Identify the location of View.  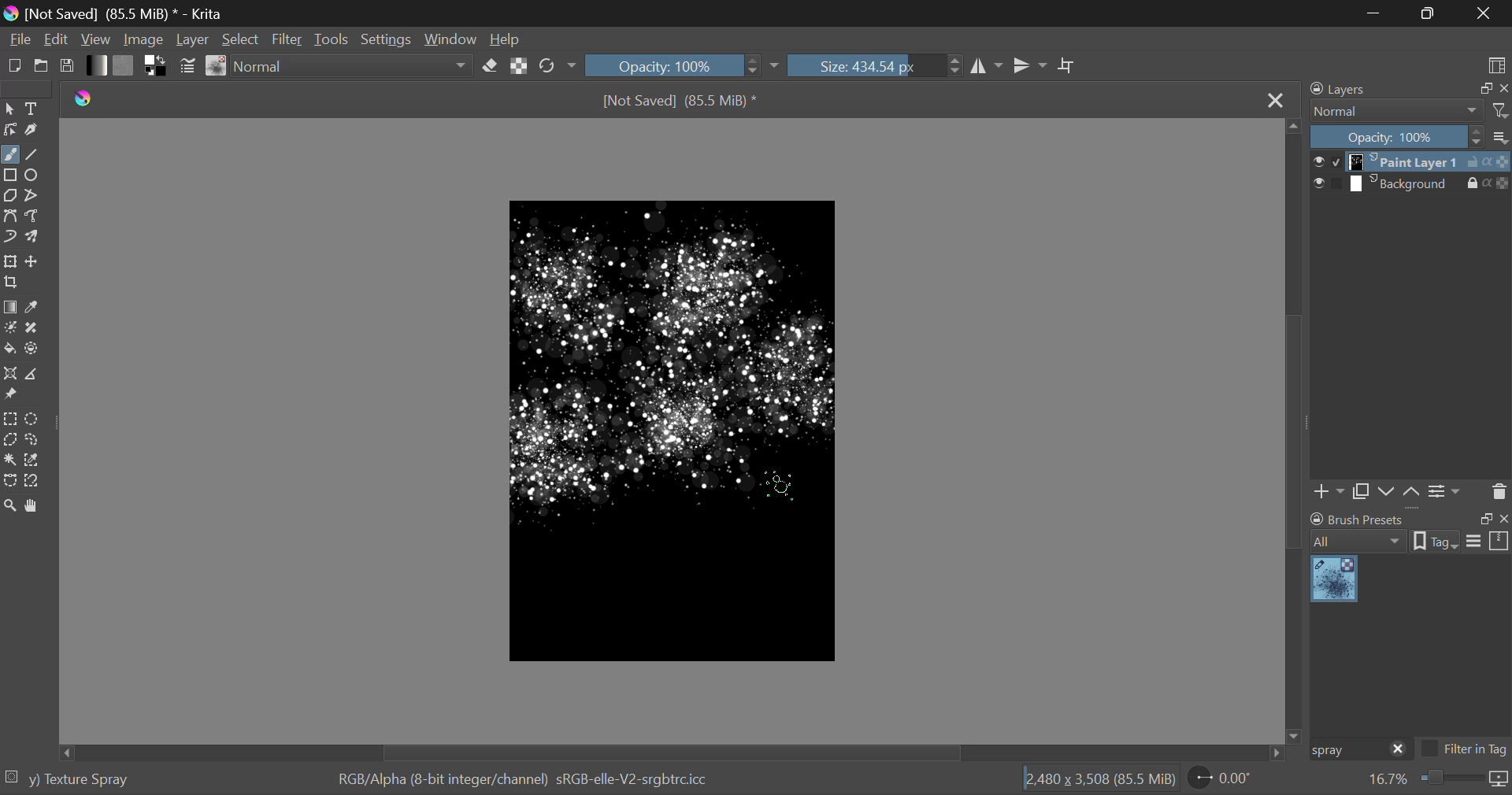
(98, 39).